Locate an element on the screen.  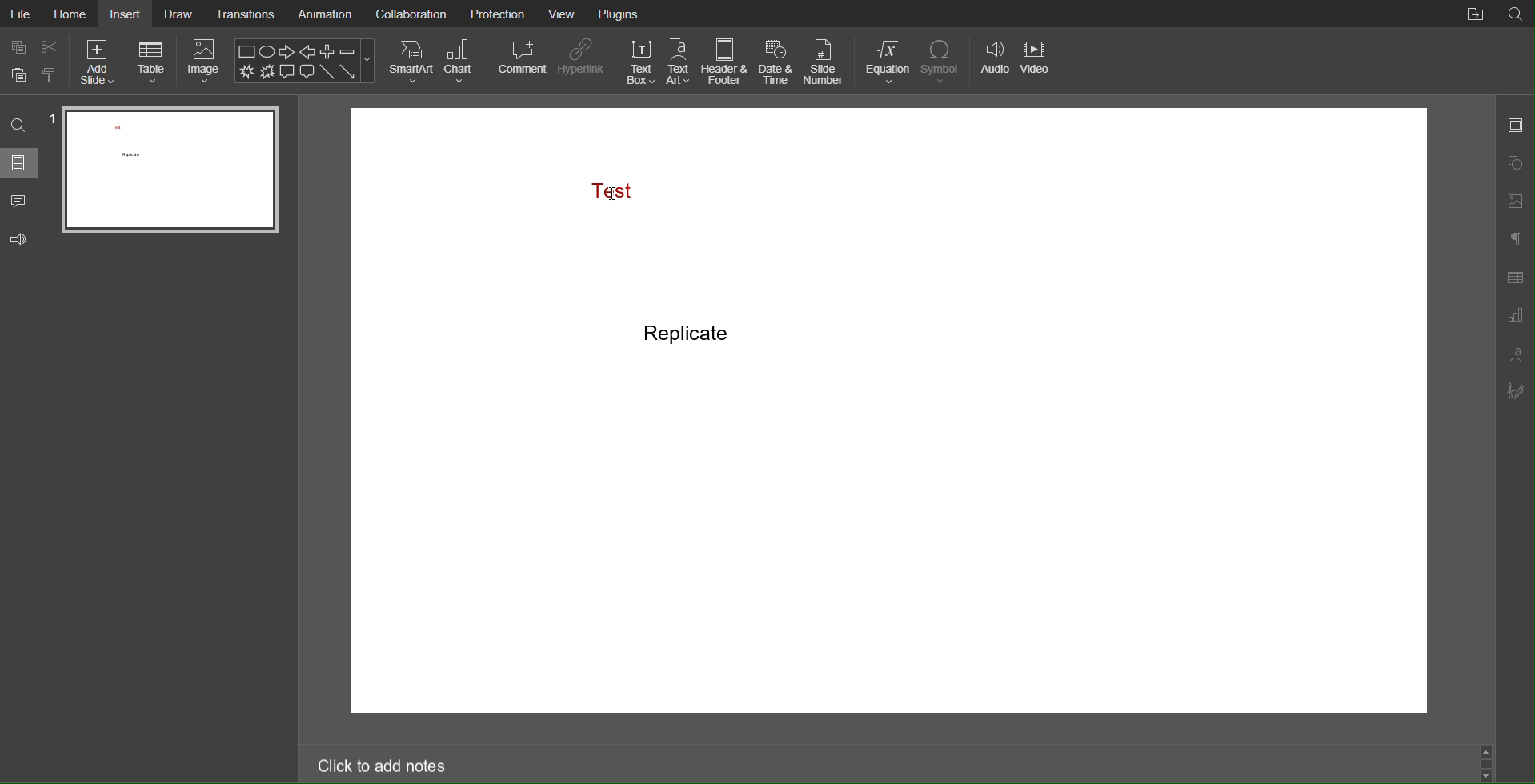
File Location is located at coordinates (1473, 15).